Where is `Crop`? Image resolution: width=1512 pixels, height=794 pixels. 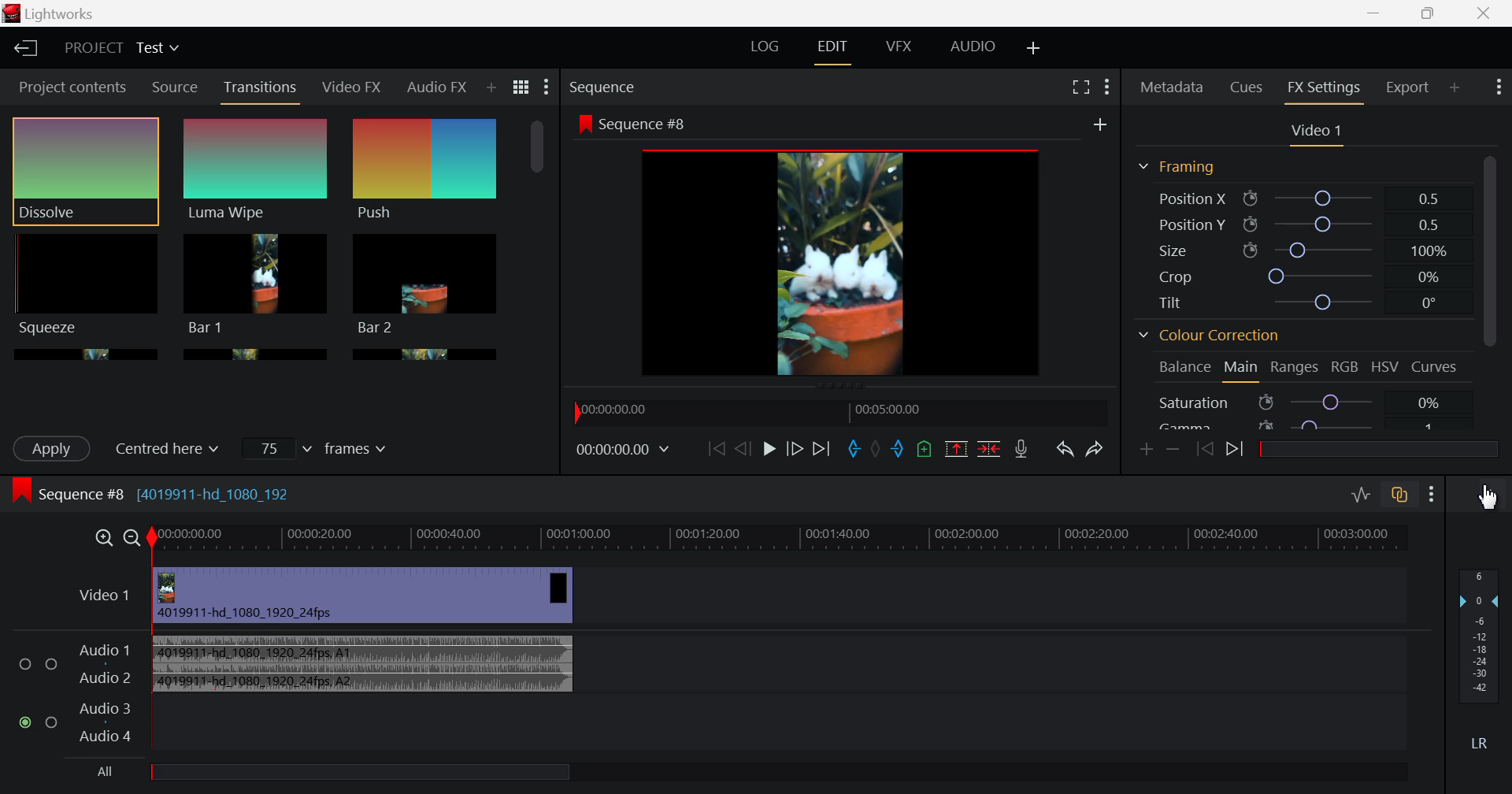
Crop is located at coordinates (1303, 275).